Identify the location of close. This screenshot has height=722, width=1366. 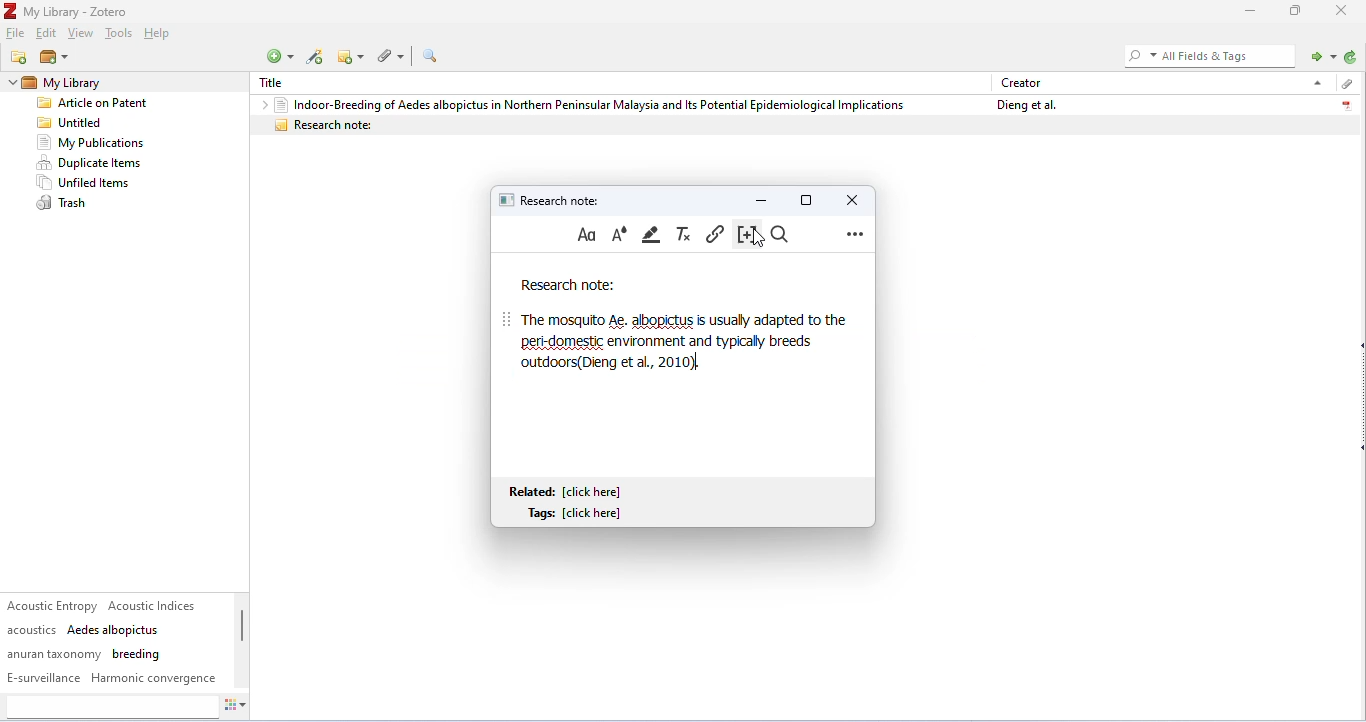
(849, 199).